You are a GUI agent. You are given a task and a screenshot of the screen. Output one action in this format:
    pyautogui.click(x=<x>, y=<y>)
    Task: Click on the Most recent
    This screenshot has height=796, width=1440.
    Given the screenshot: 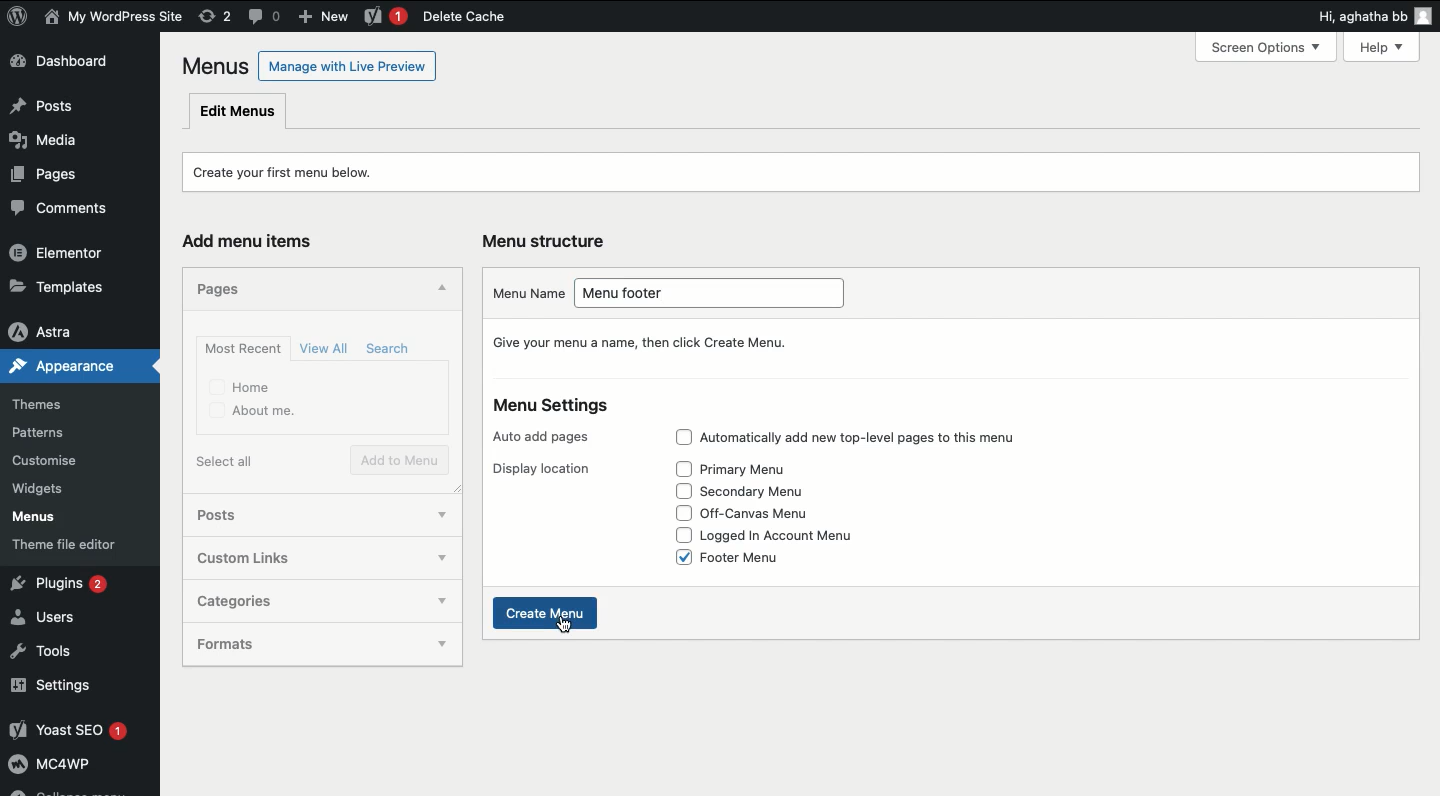 What is the action you would take?
    pyautogui.click(x=242, y=349)
    